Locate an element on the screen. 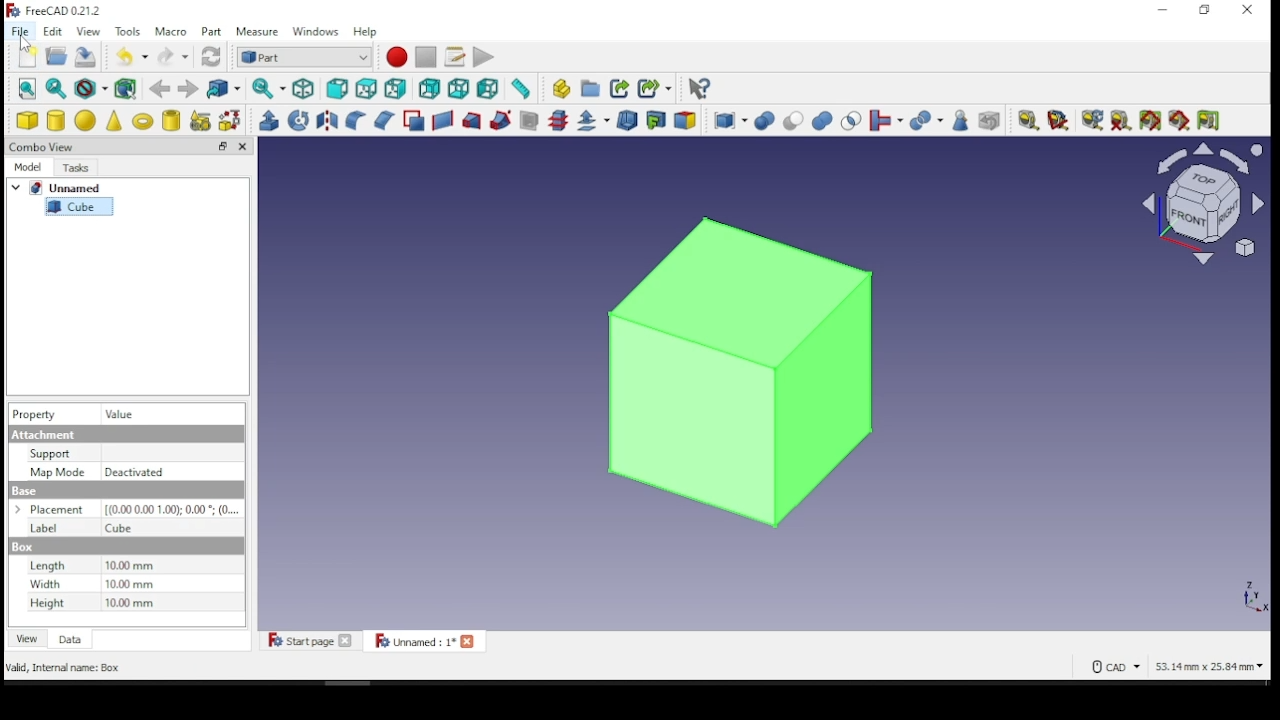 The height and width of the screenshot is (720, 1280). Height is located at coordinates (45, 603).